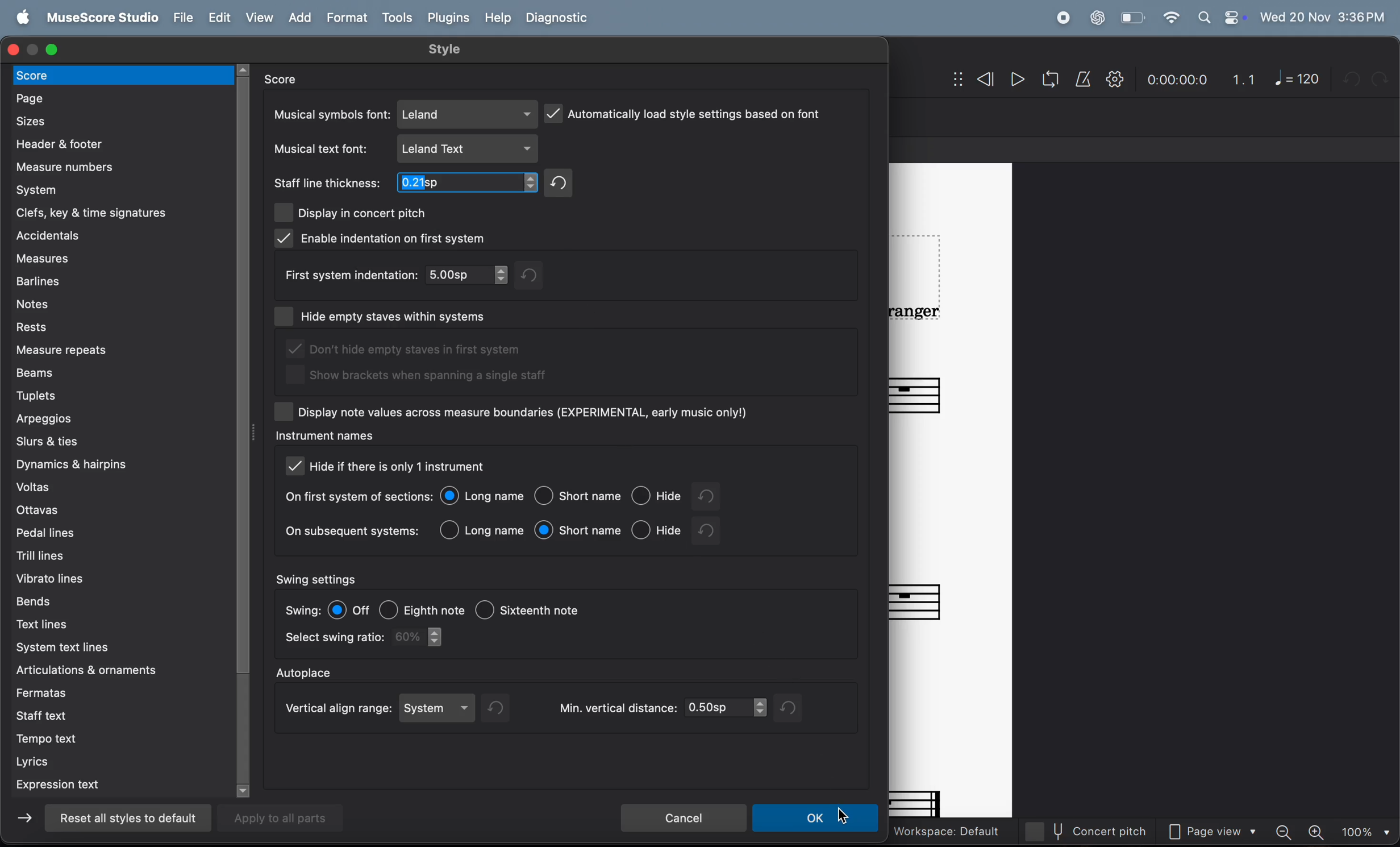 The width and height of the screenshot is (1400, 847). Describe the element at coordinates (261, 18) in the screenshot. I see `view` at that location.